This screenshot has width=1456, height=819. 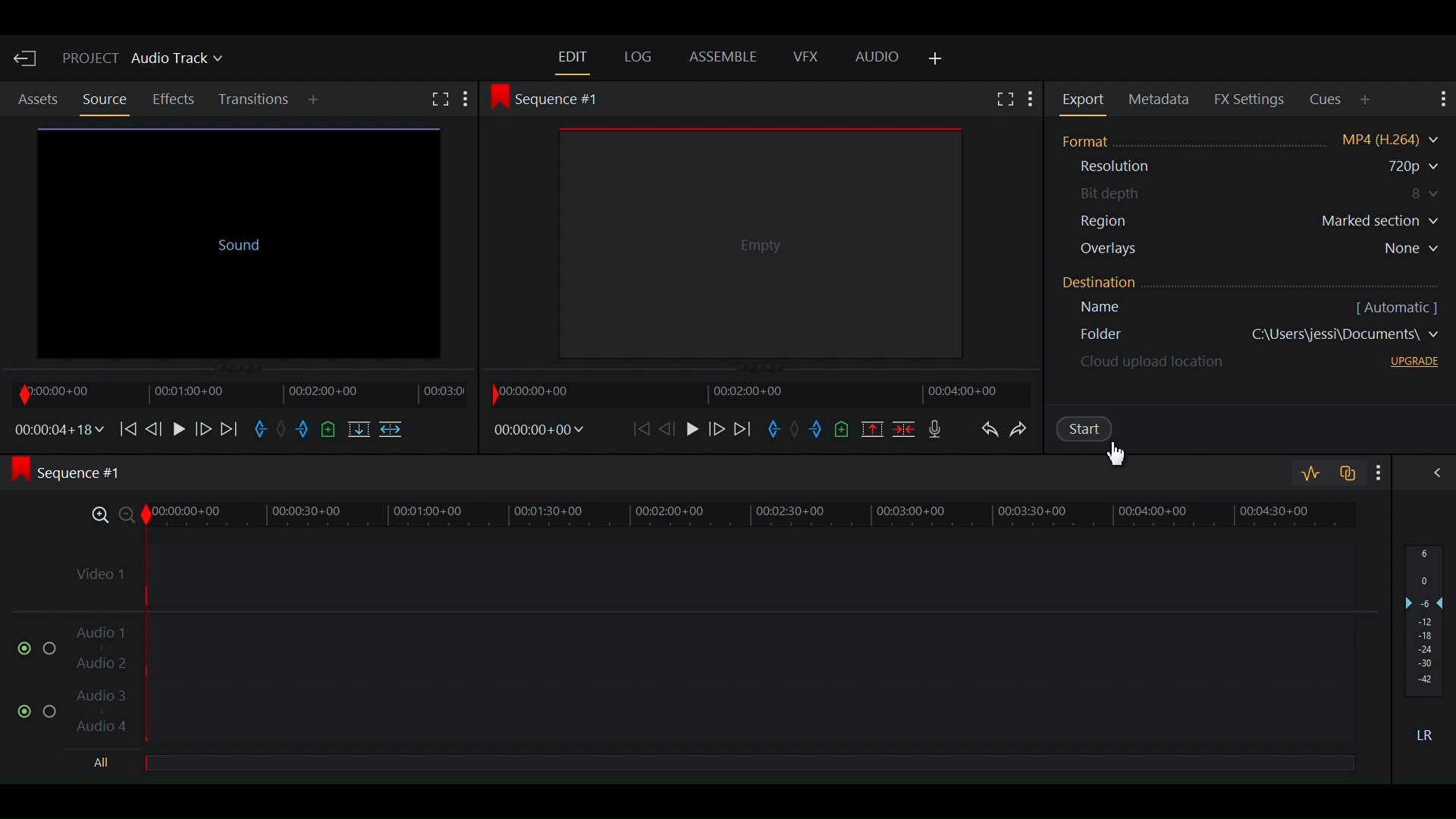 What do you see at coordinates (1310, 474) in the screenshot?
I see `Toggle audio editing levels` at bounding box center [1310, 474].